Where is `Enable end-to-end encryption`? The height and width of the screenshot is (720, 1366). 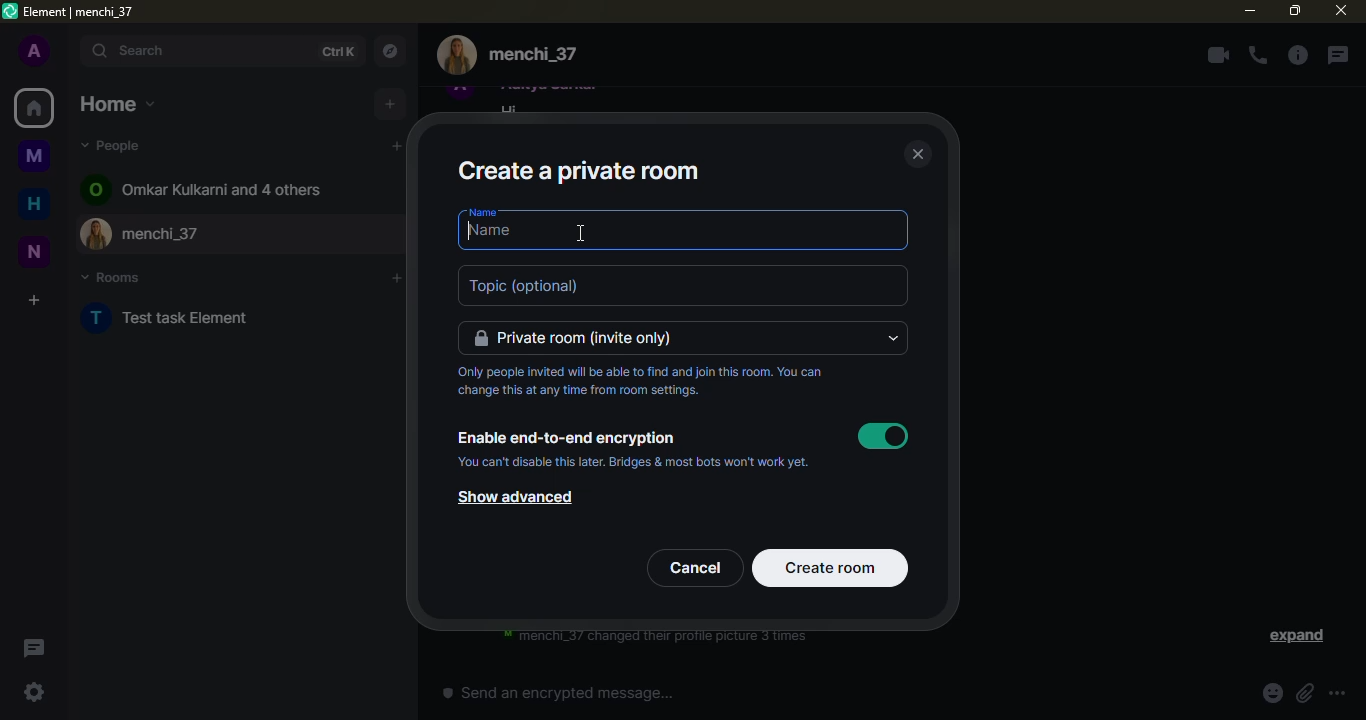
Enable end-to-end encryption is located at coordinates (570, 439).